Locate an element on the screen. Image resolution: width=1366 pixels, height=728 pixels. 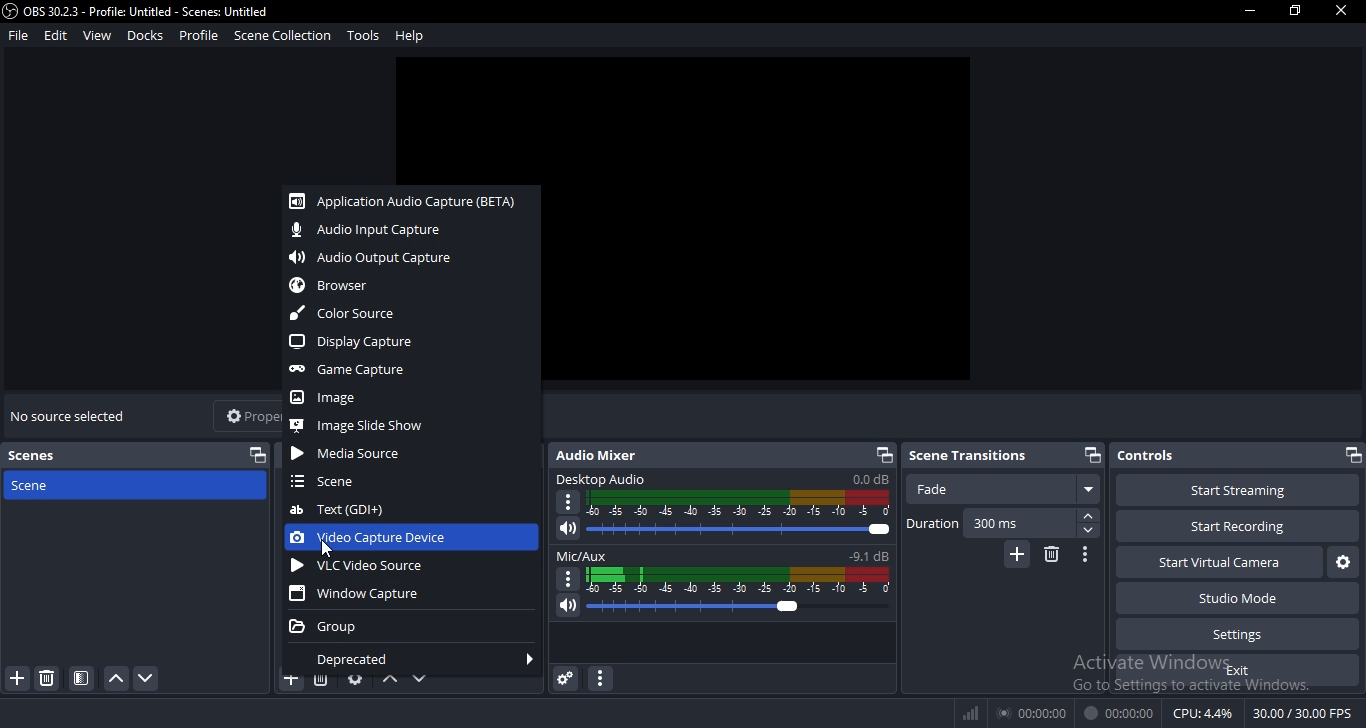
audio output capture is located at coordinates (388, 260).